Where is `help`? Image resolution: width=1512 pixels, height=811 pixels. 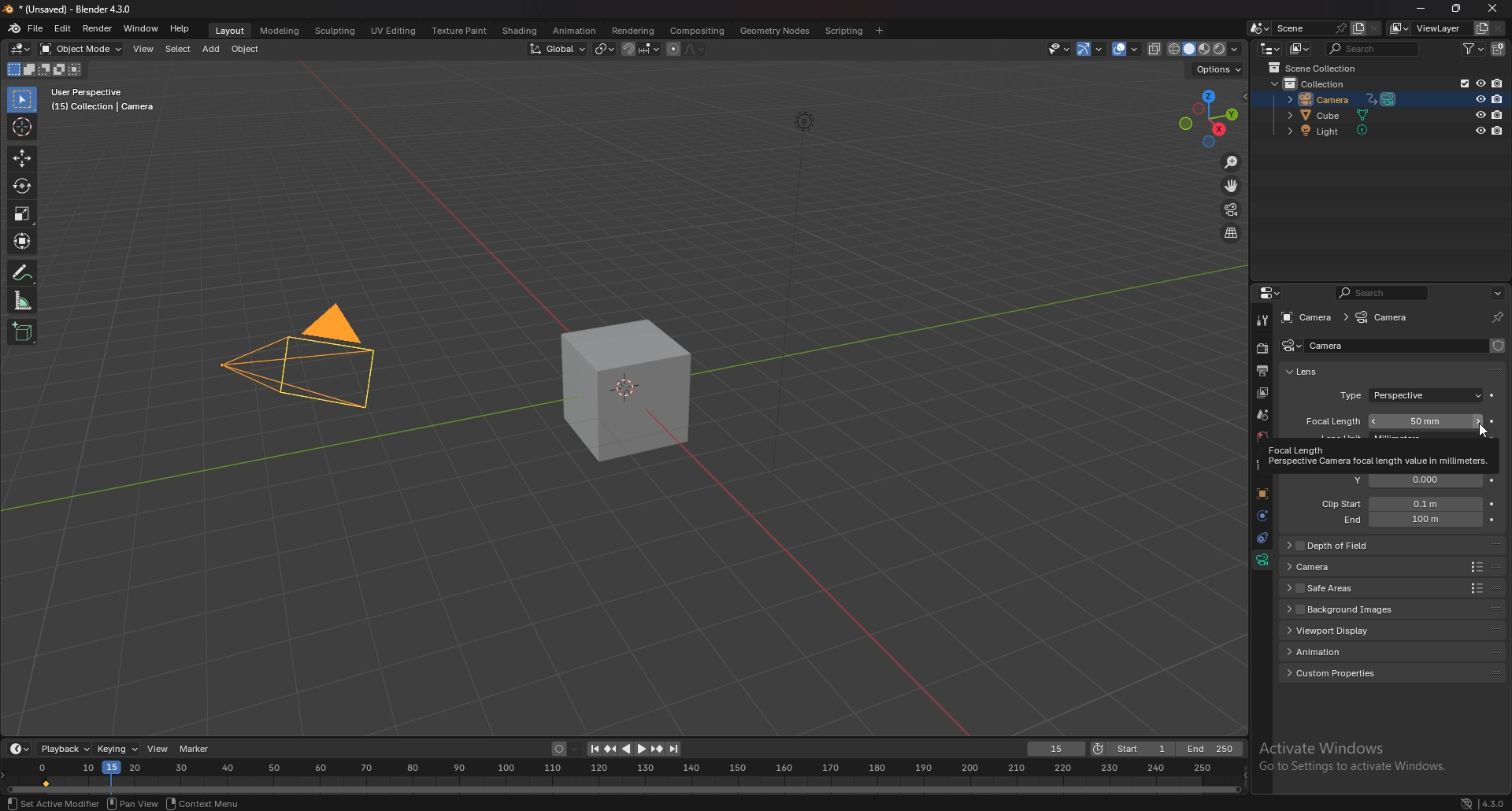
help is located at coordinates (180, 29).